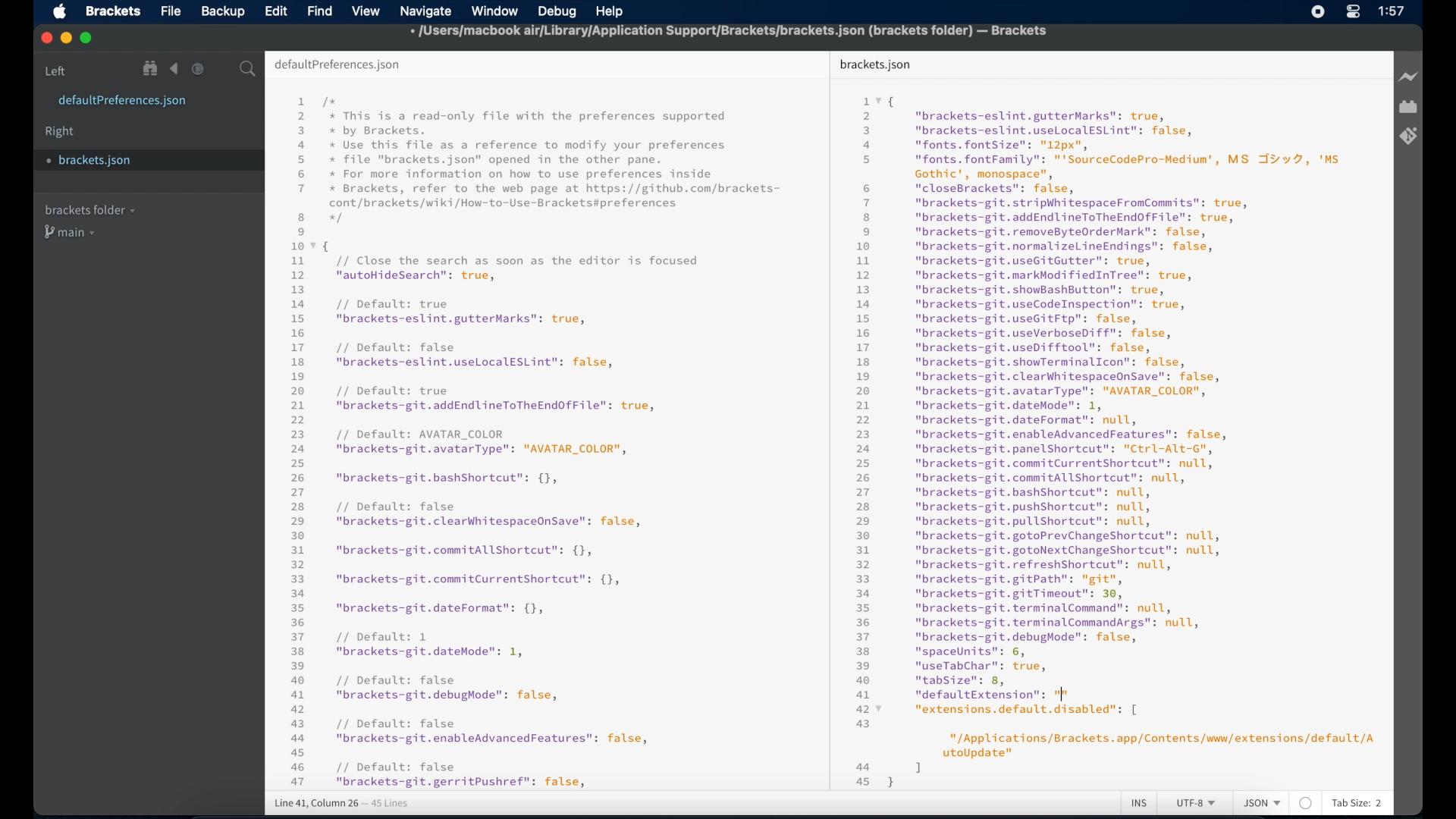  Describe the element at coordinates (1353, 12) in the screenshot. I see `control center` at that location.